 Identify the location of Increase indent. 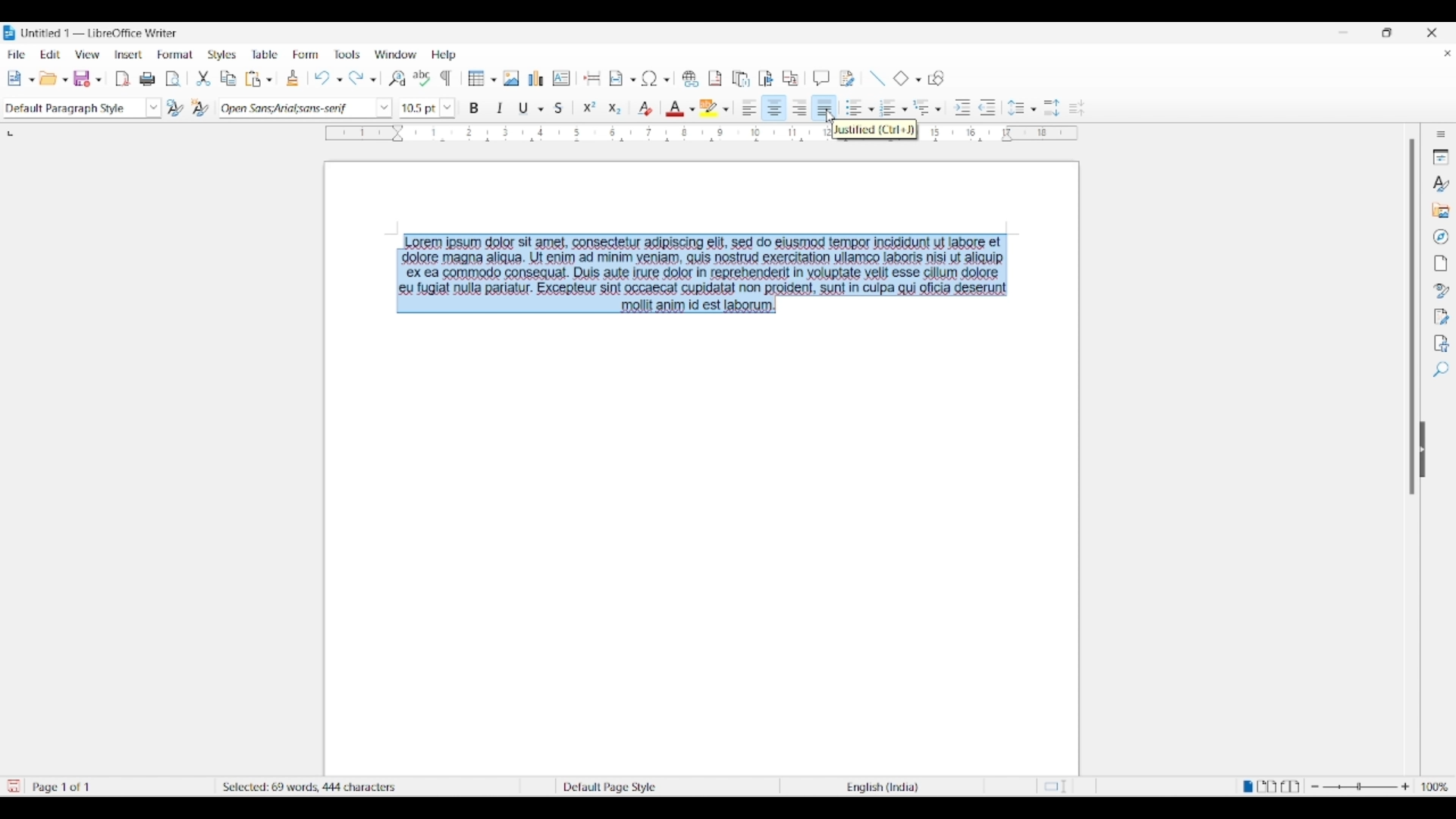
(962, 108).